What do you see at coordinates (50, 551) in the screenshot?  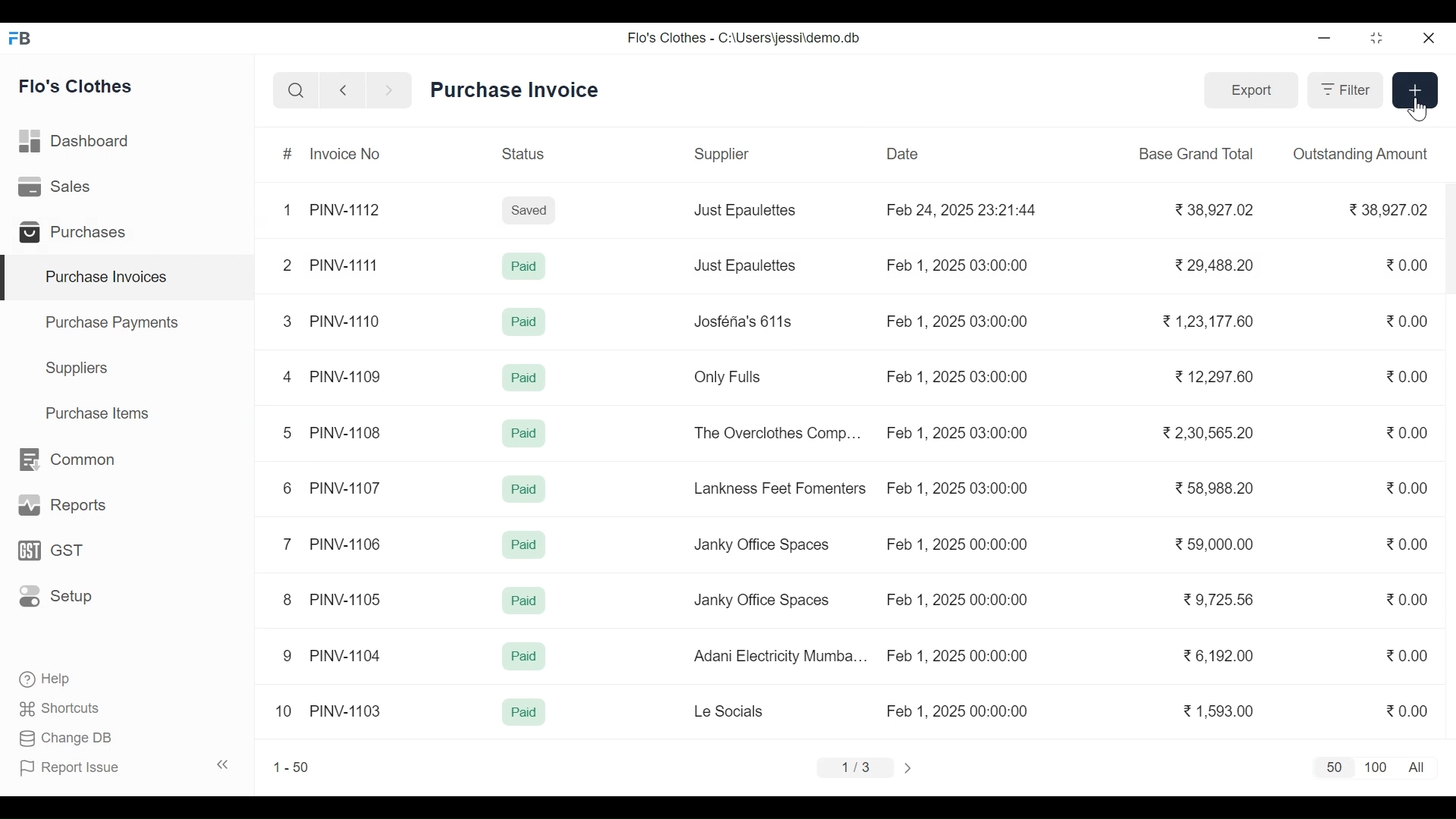 I see `GST` at bounding box center [50, 551].